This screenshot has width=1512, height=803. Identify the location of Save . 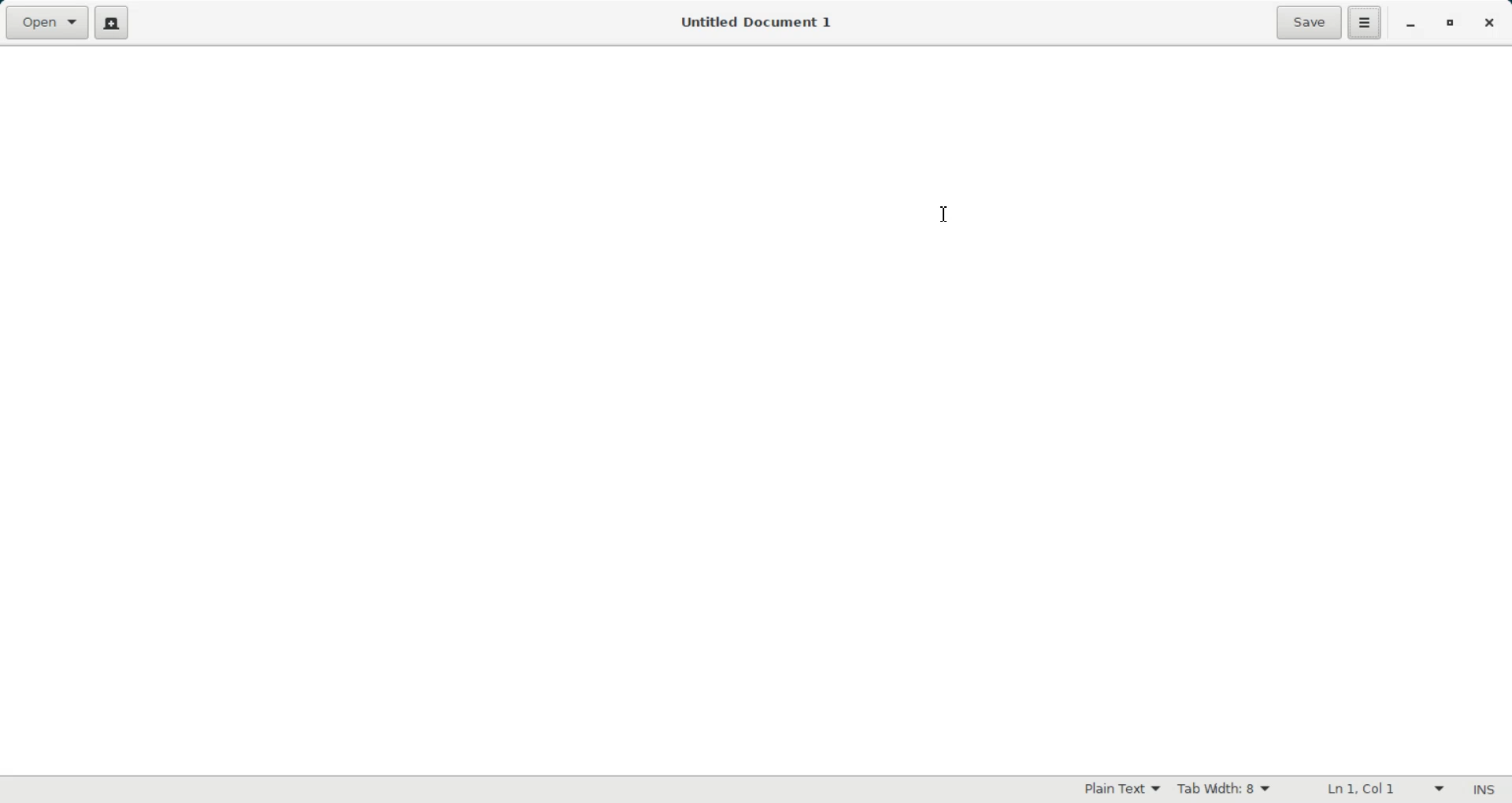
(1309, 23).